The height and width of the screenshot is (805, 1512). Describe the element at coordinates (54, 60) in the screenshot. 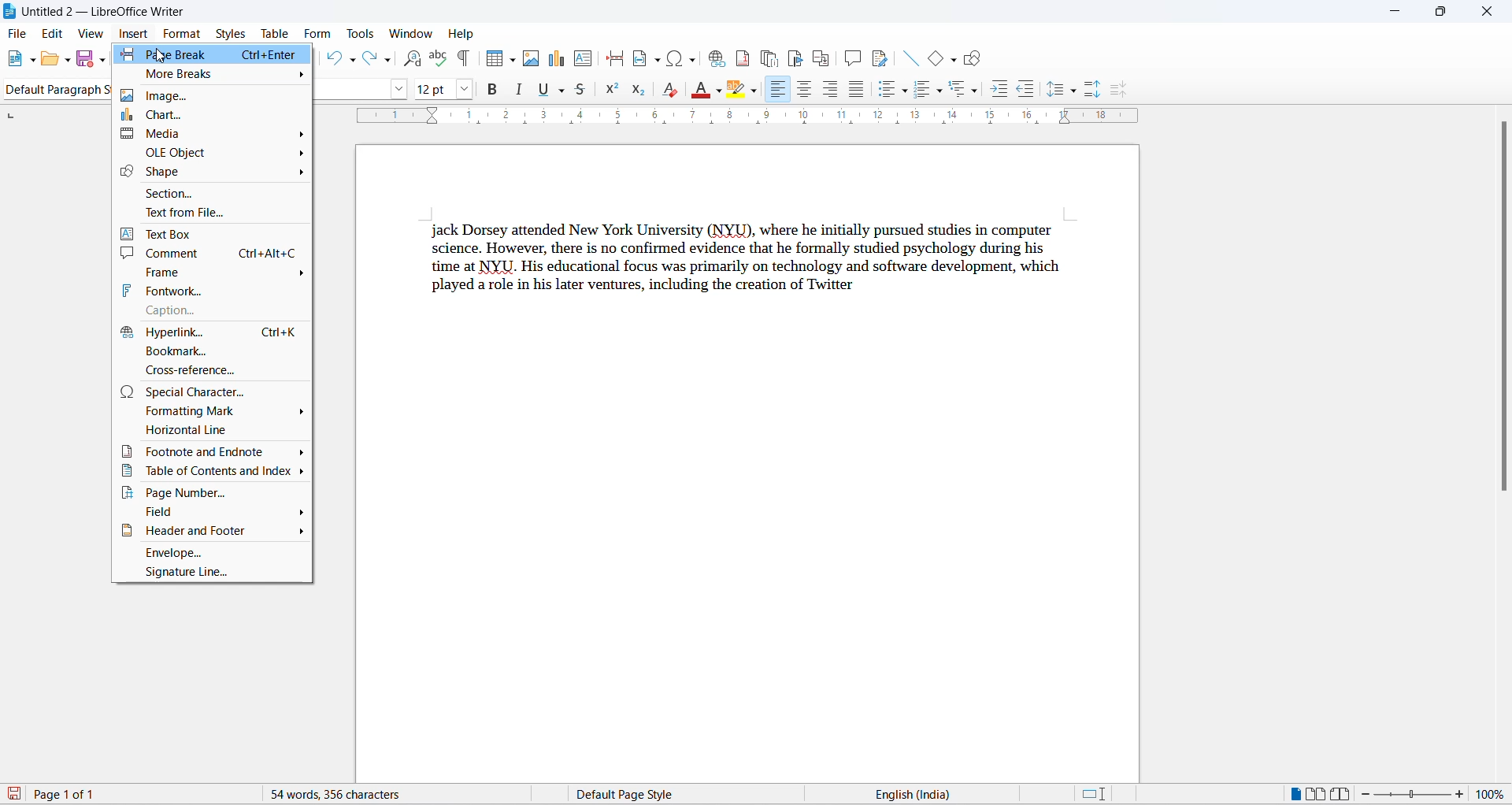

I see `open` at that location.